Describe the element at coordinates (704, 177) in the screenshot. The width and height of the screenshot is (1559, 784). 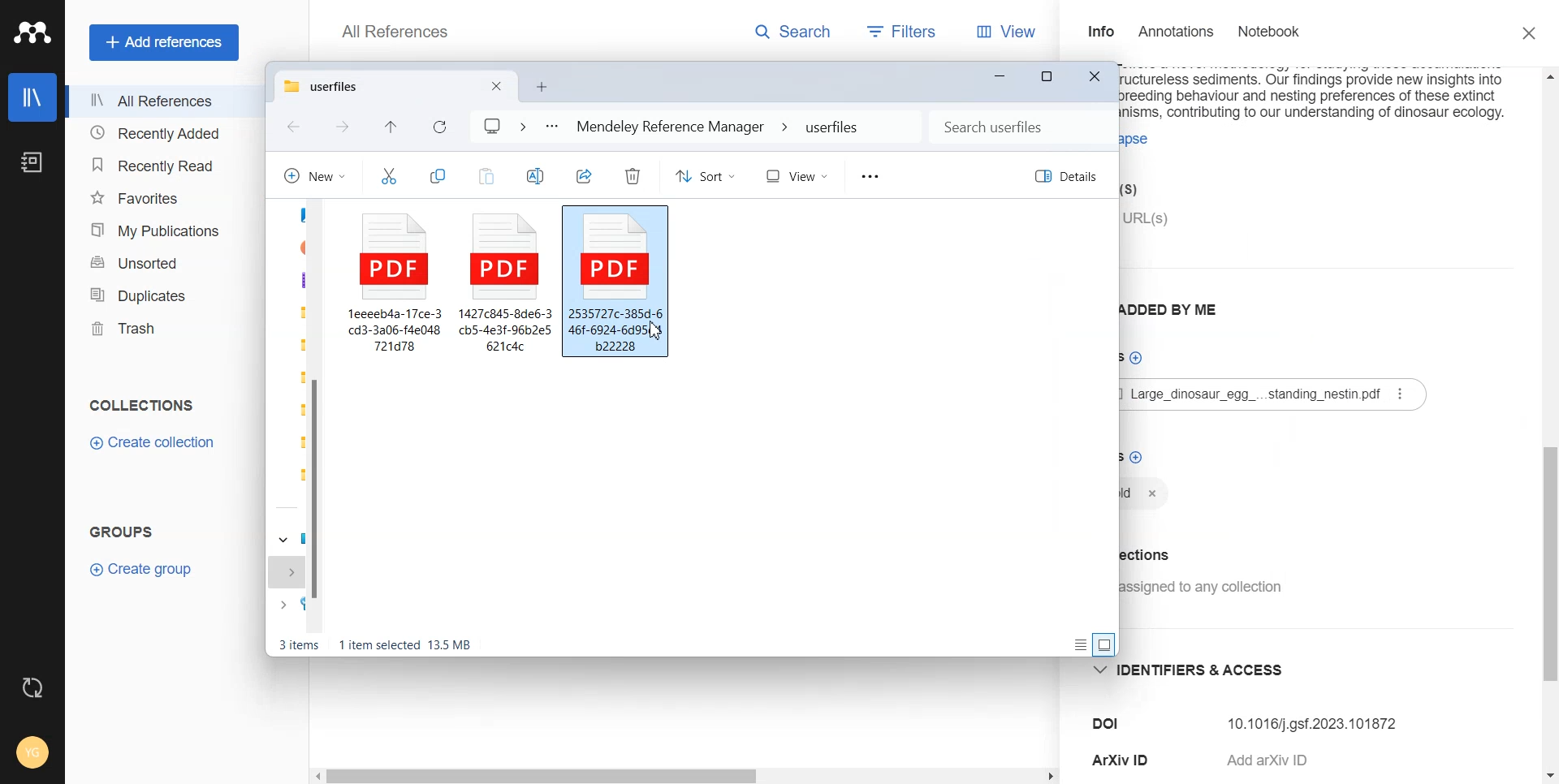
I see `Sort` at that location.